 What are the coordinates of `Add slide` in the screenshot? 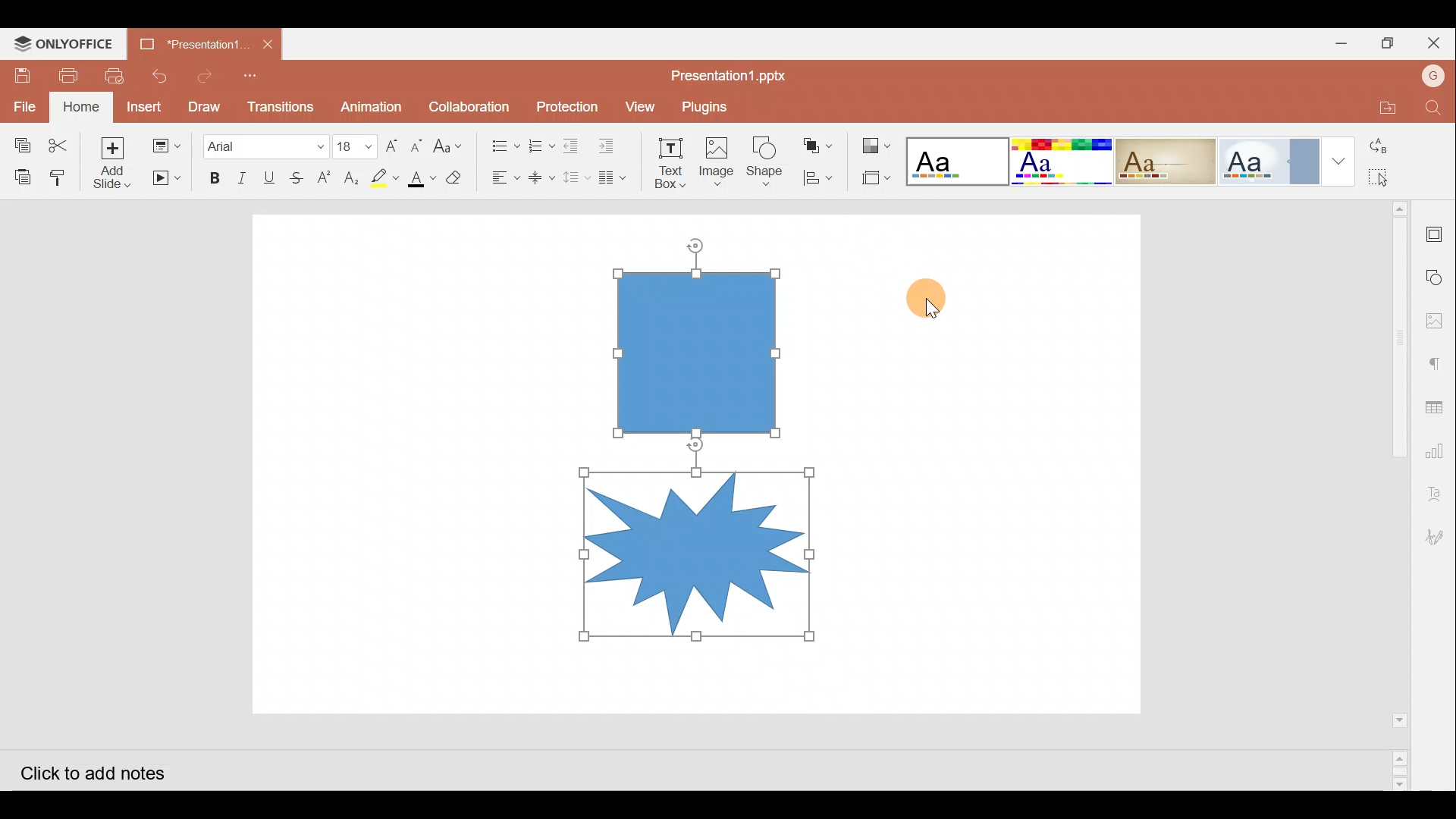 It's located at (111, 162).